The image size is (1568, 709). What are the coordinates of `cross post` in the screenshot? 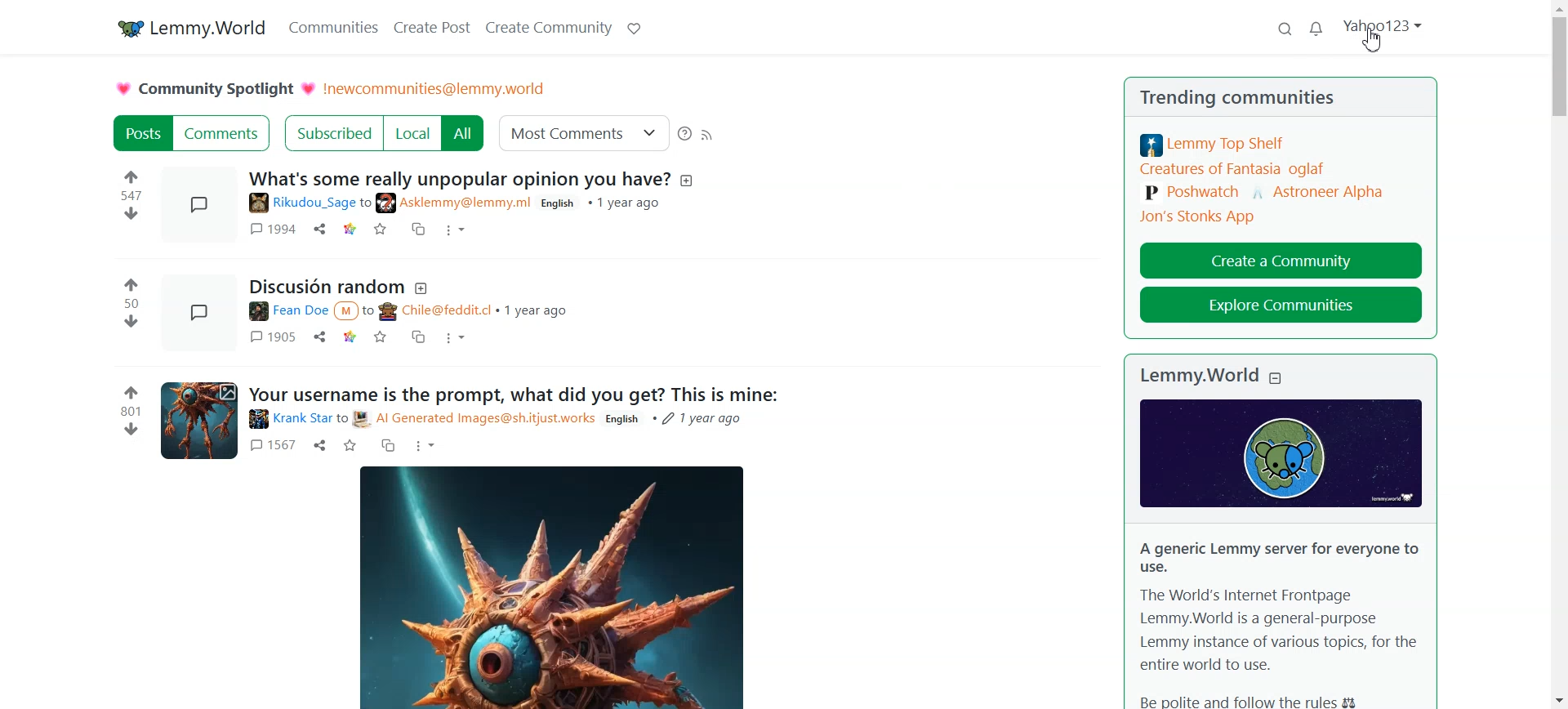 It's located at (387, 444).